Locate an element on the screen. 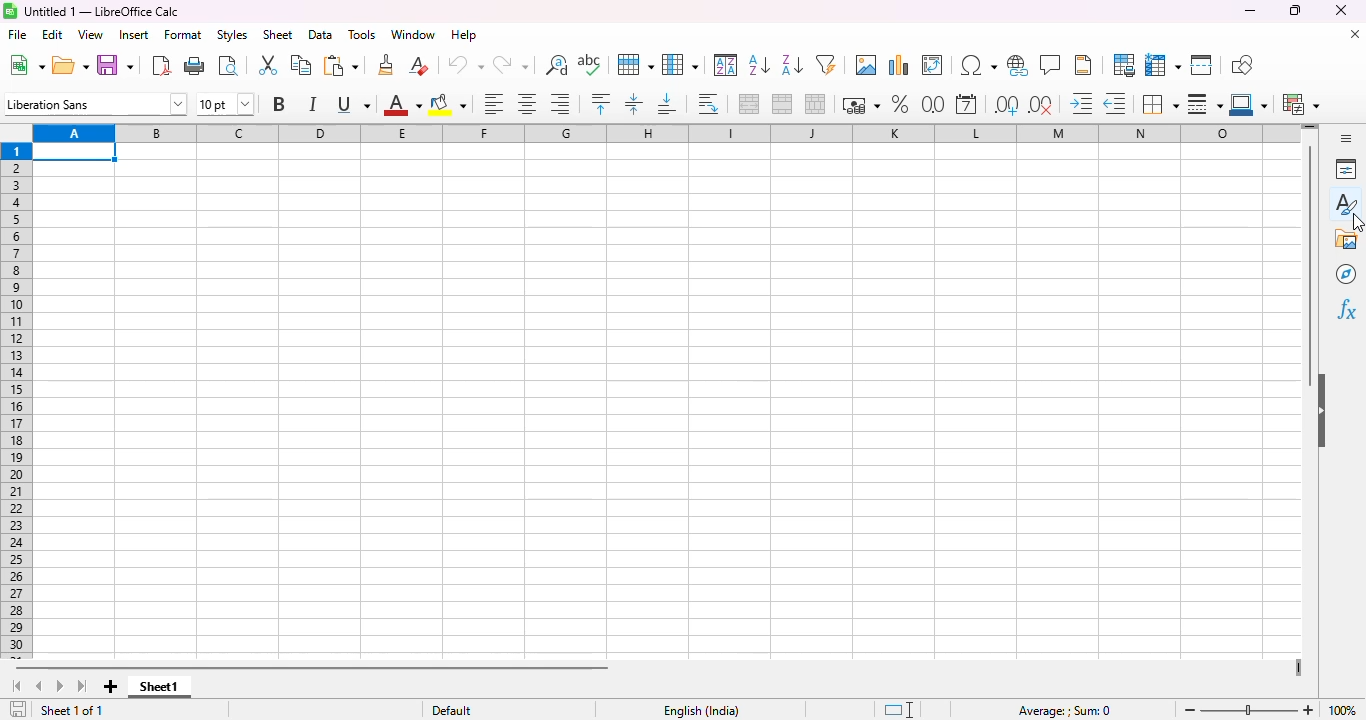 The height and width of the screenshot is (720, 1366). delete decimal is located at coordinates (1115, 103).